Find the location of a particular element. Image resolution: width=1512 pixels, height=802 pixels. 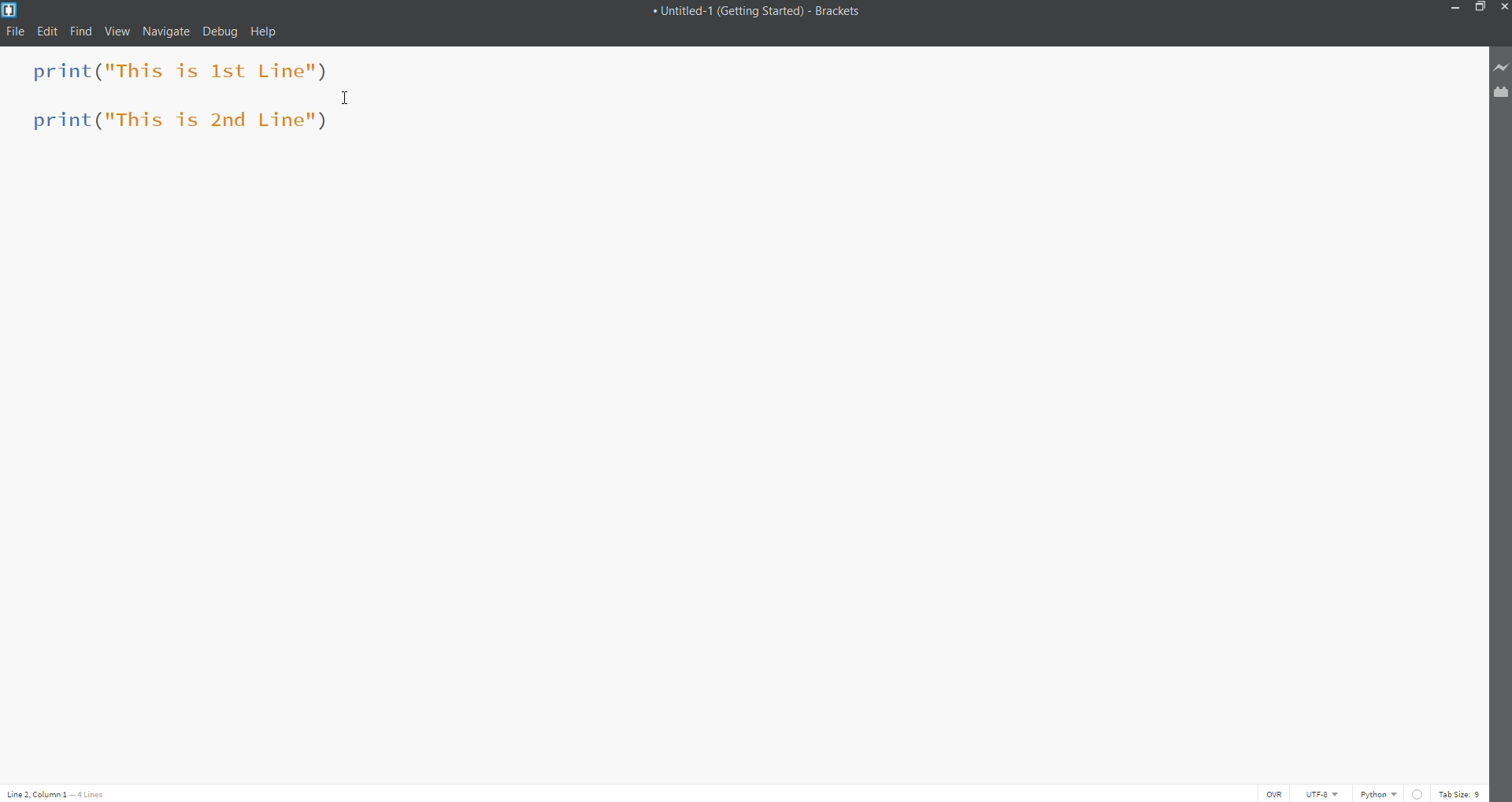

Debug is located at coordinates (223, 32).